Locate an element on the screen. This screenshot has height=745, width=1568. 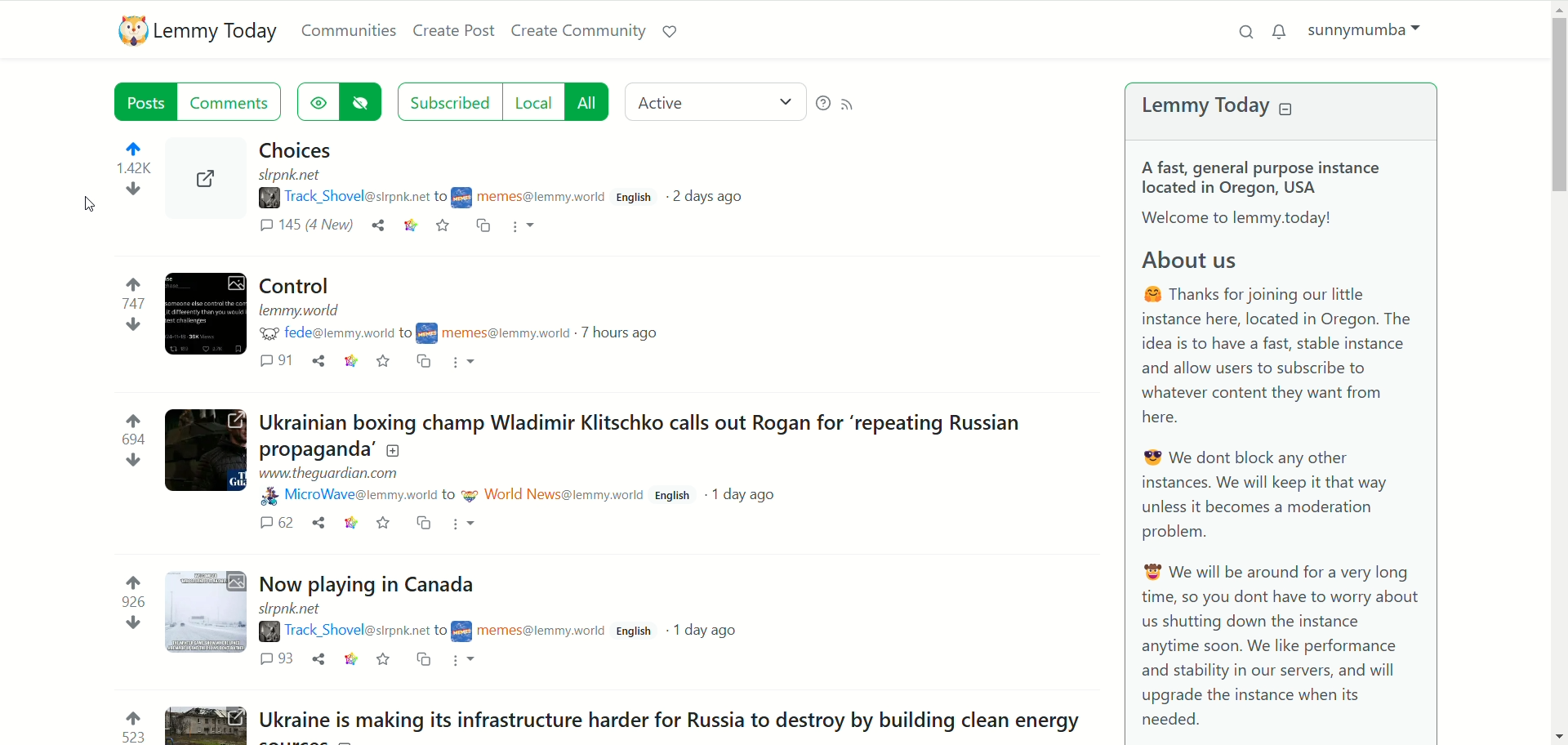
Post - Choices is located at coordinates (299, 150).